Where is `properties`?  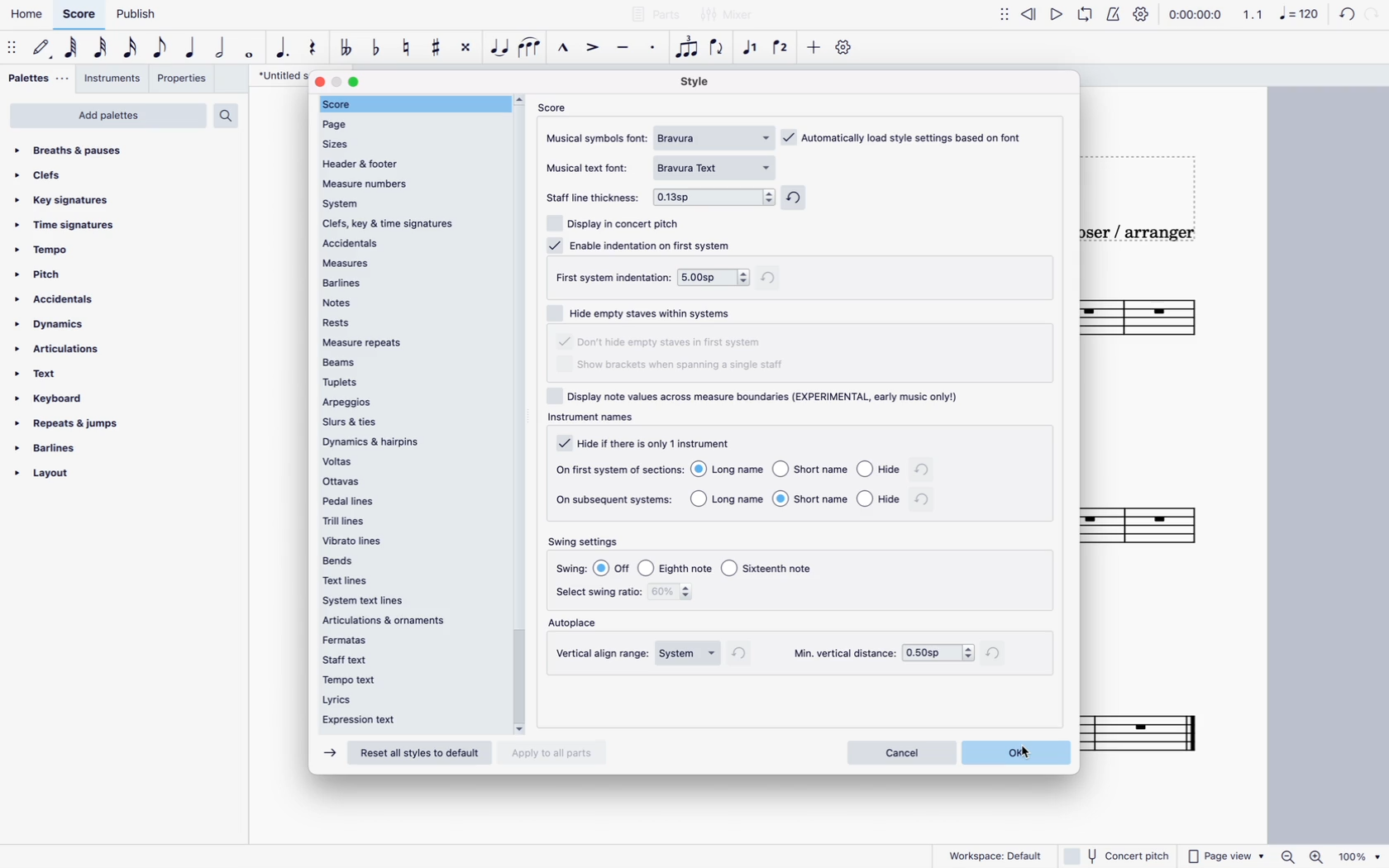
properties is located at coordinates (179, 79).